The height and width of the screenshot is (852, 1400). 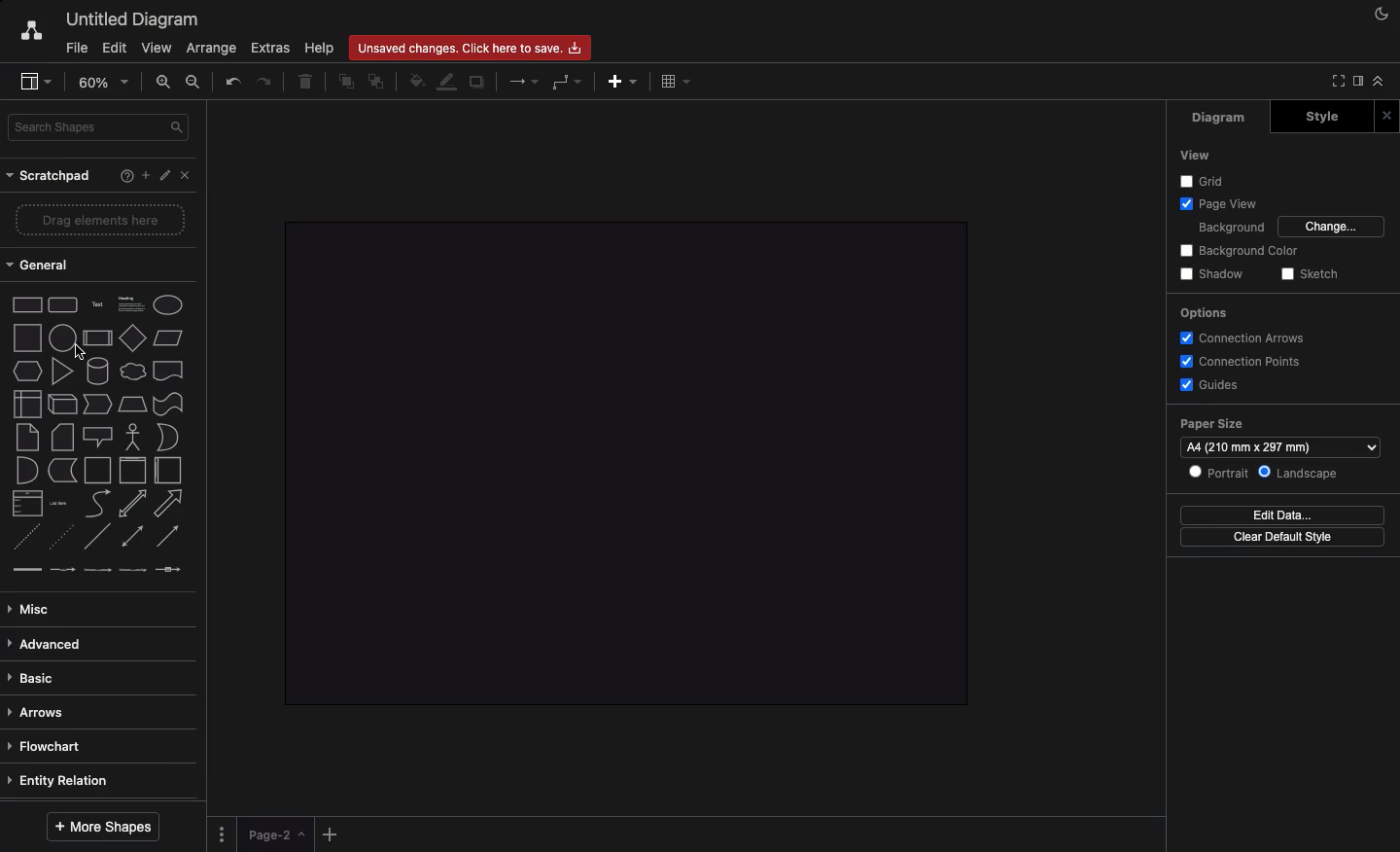 What do you see at coordinates (142, 175) in the screenshot?
I see `Add` at bounding box center [142, 175].